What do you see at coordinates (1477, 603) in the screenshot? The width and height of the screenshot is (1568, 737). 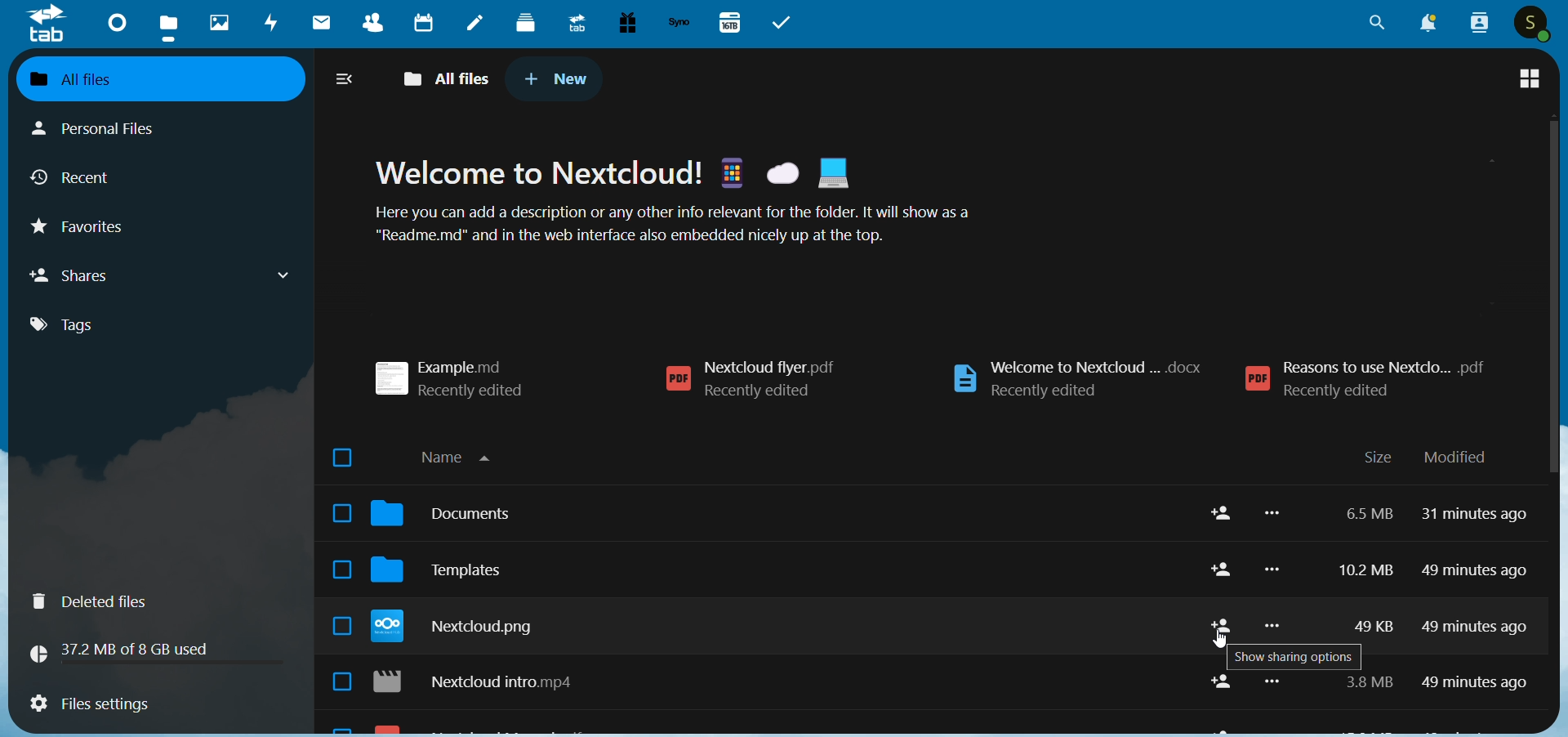 I see `last modified` at bounding box center [1477, 603].